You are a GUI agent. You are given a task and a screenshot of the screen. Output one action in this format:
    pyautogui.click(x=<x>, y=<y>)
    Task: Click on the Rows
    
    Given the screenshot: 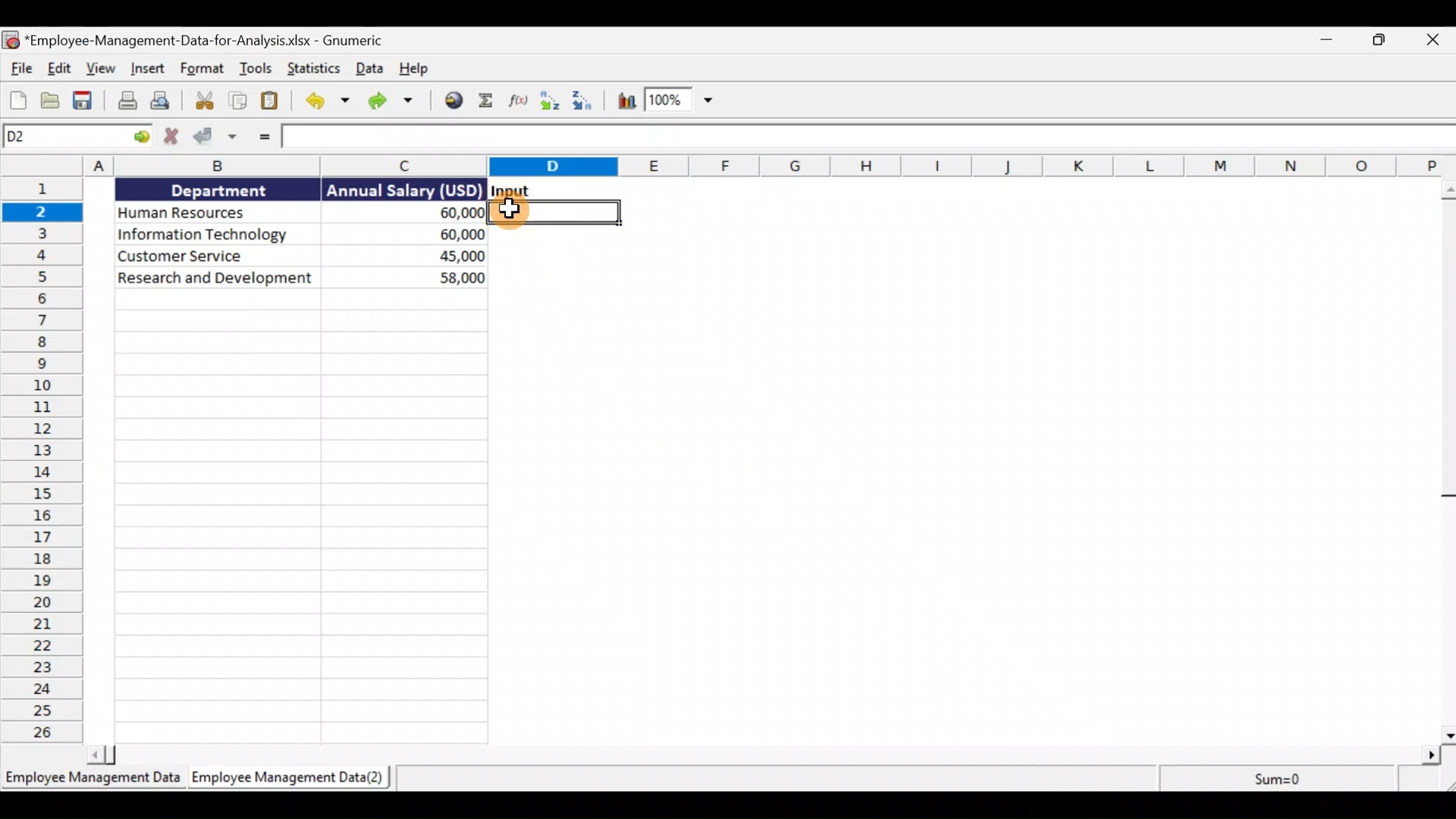 What is the action you would take?
    pyautogui.click(x=49, y=461)
    